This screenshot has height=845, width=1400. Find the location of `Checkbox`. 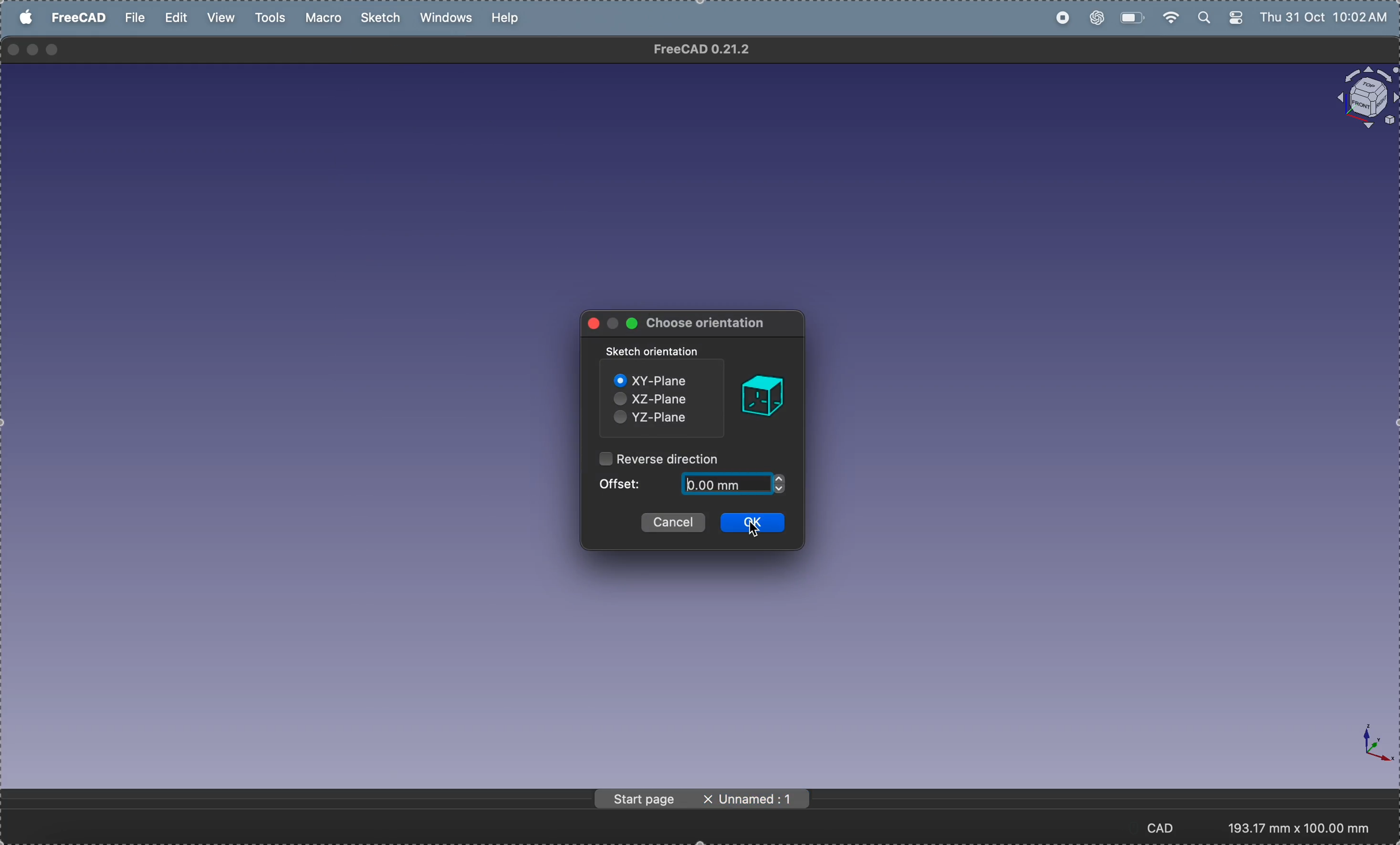

Checkbox is located at coordinates (620, 399).